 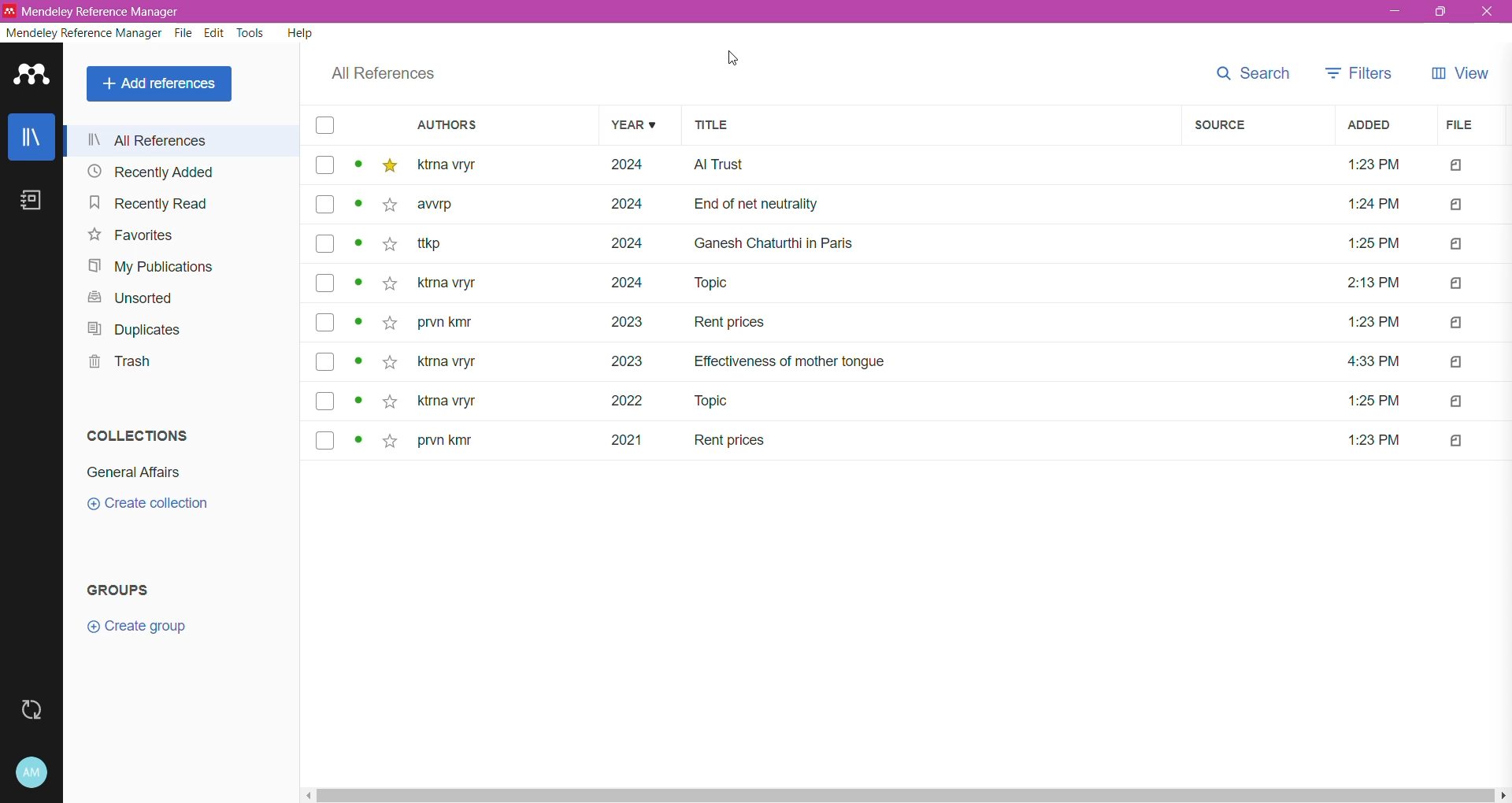 What do you see at coordinates (391, 283) in the screenshot?
I see `click to add to favorites` at bounding box center [391, 283].